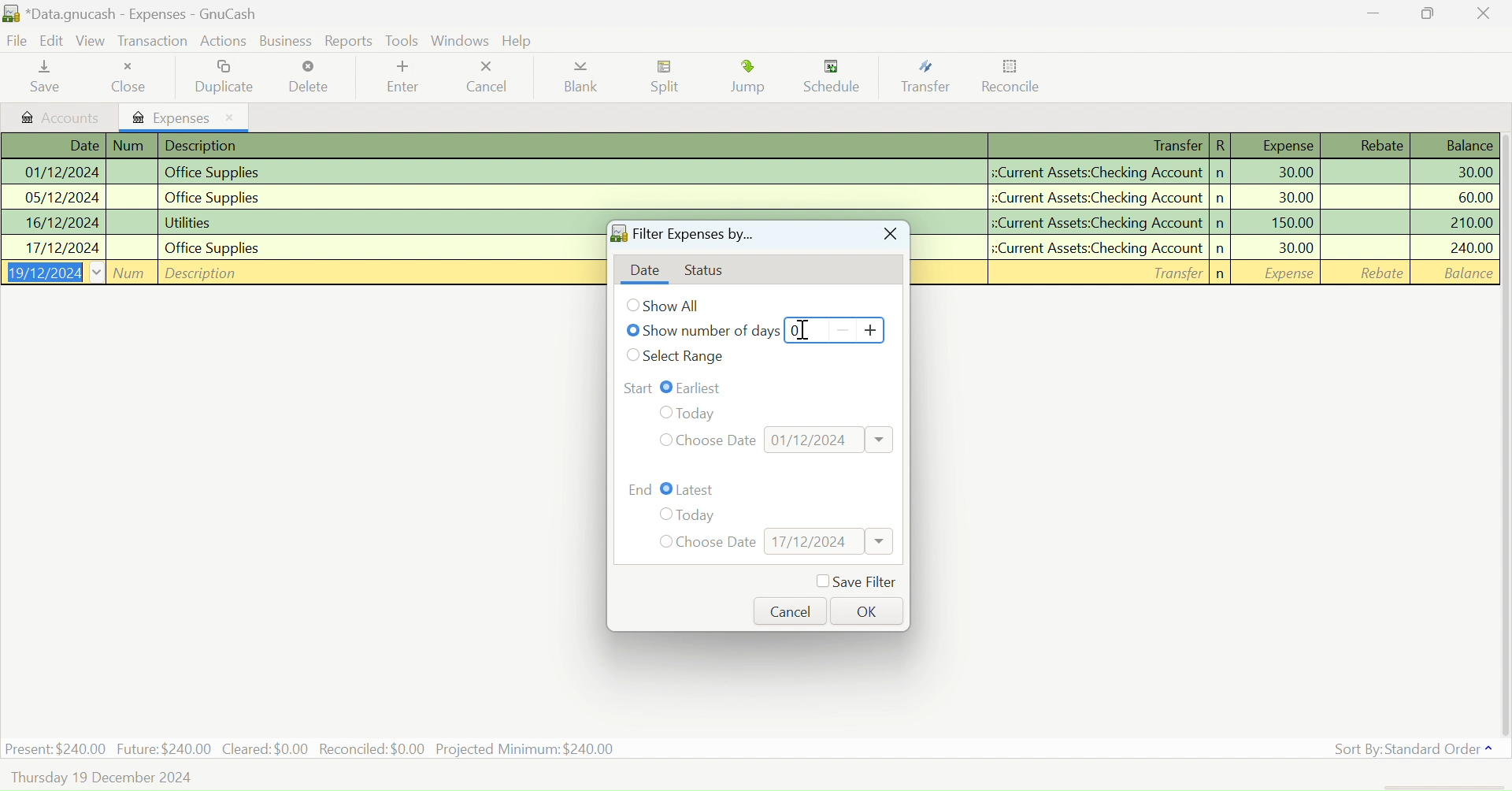 The height and width of the screenshot is (791, 1512). Describe the element at coordinates (103, 778) in the screenshot. I see `Thursday, 19 December 2024` at that location.